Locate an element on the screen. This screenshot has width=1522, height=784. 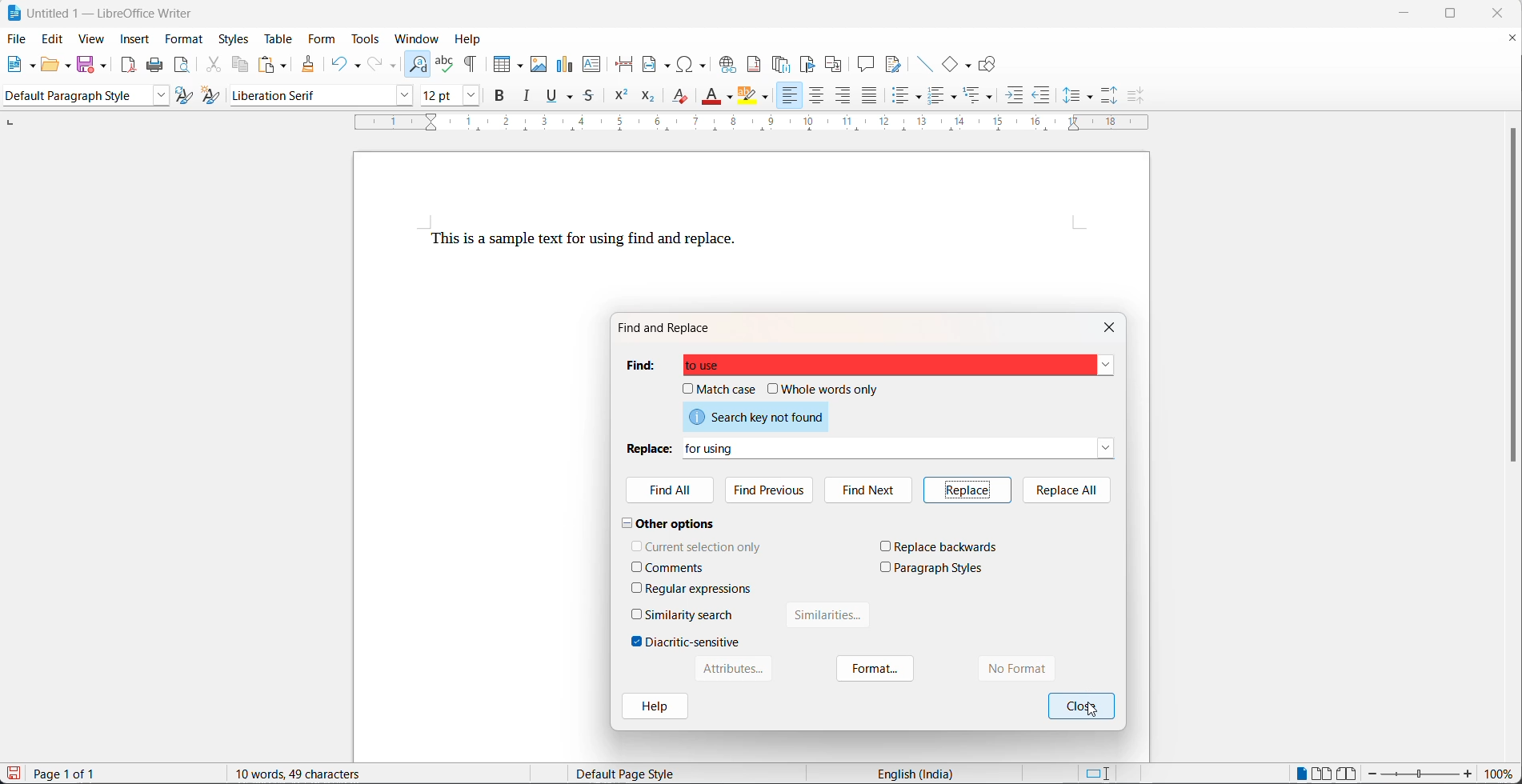
for using is located at coordinates (884, 448).